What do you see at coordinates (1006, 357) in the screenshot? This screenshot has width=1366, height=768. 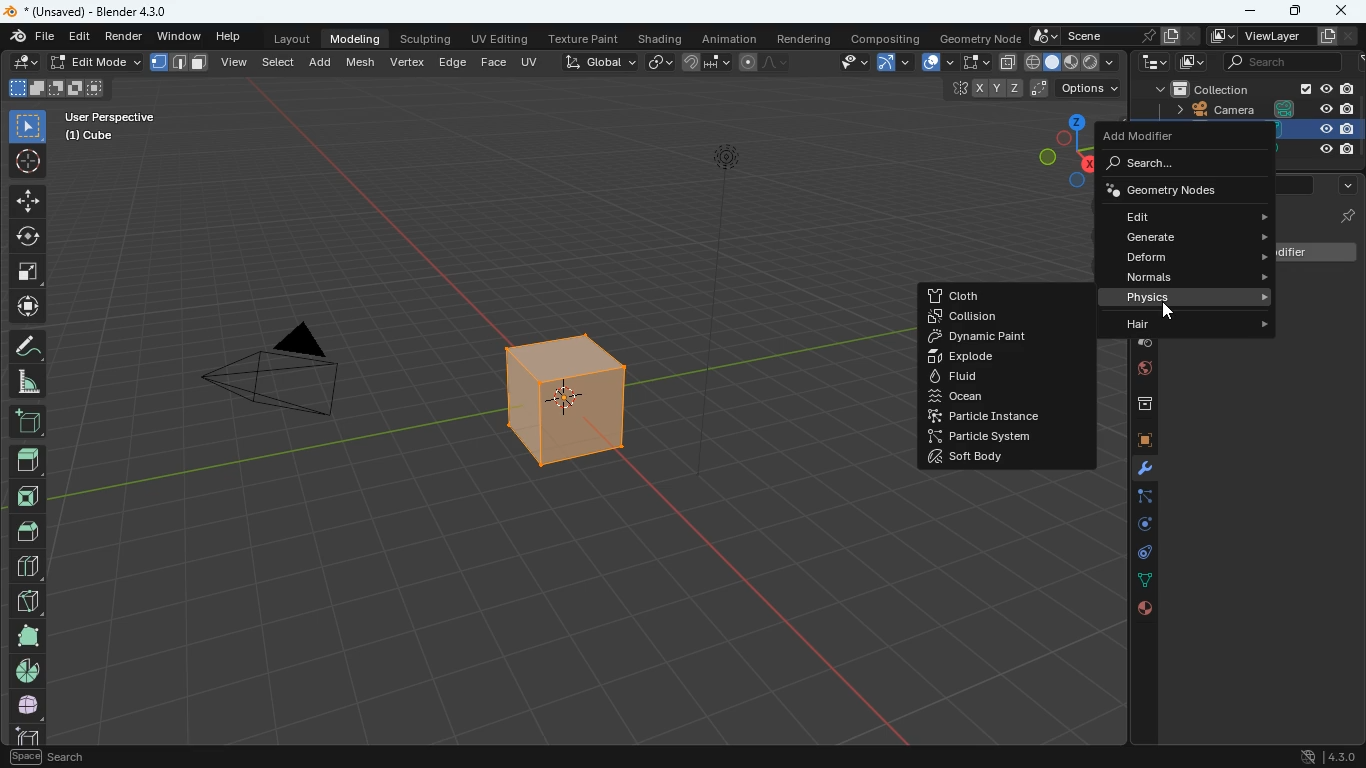 I see `explode` at bounding box center [1006, 357].